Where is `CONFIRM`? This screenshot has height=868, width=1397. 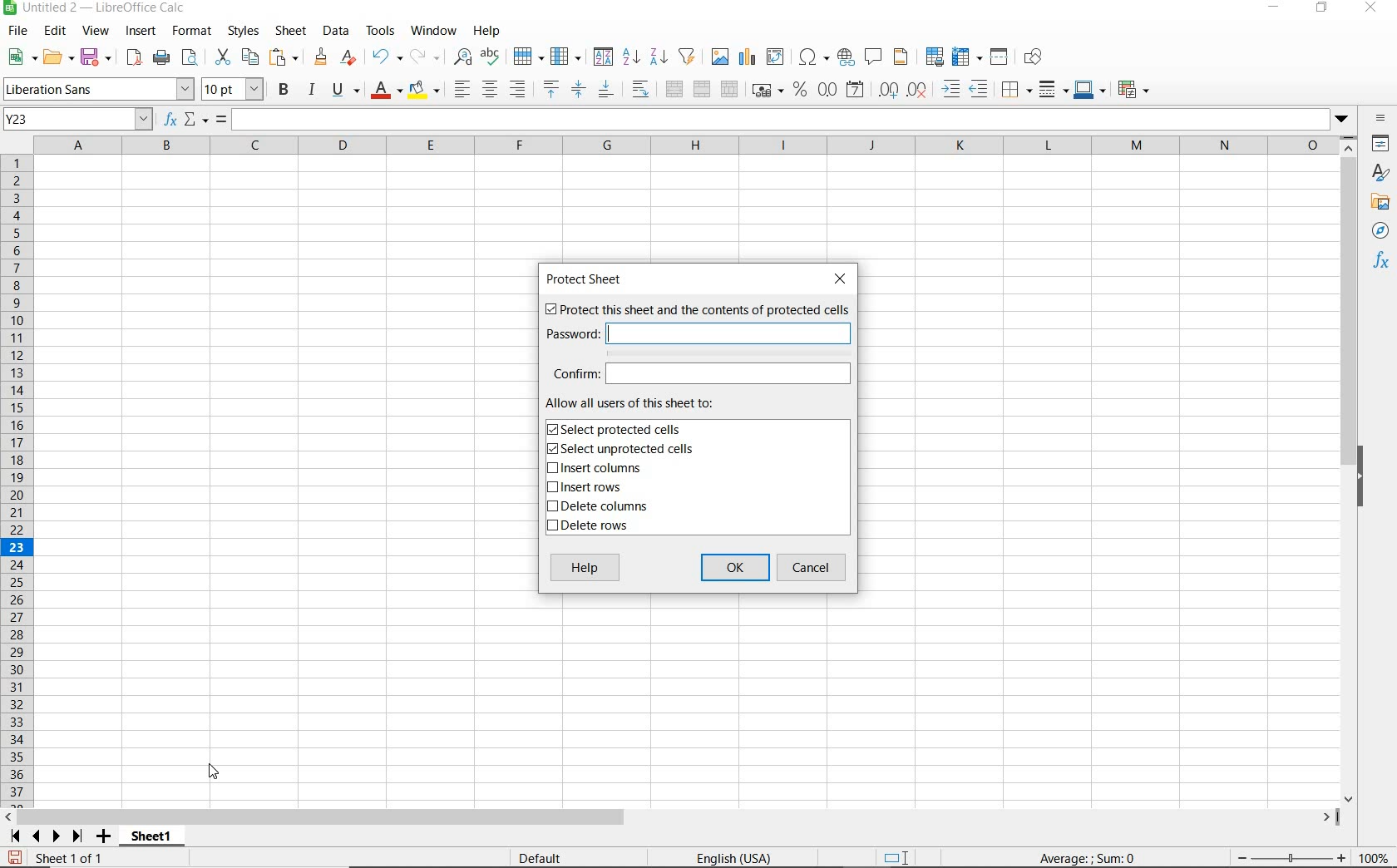 CONFIRM is located at coordinates (701, 373).